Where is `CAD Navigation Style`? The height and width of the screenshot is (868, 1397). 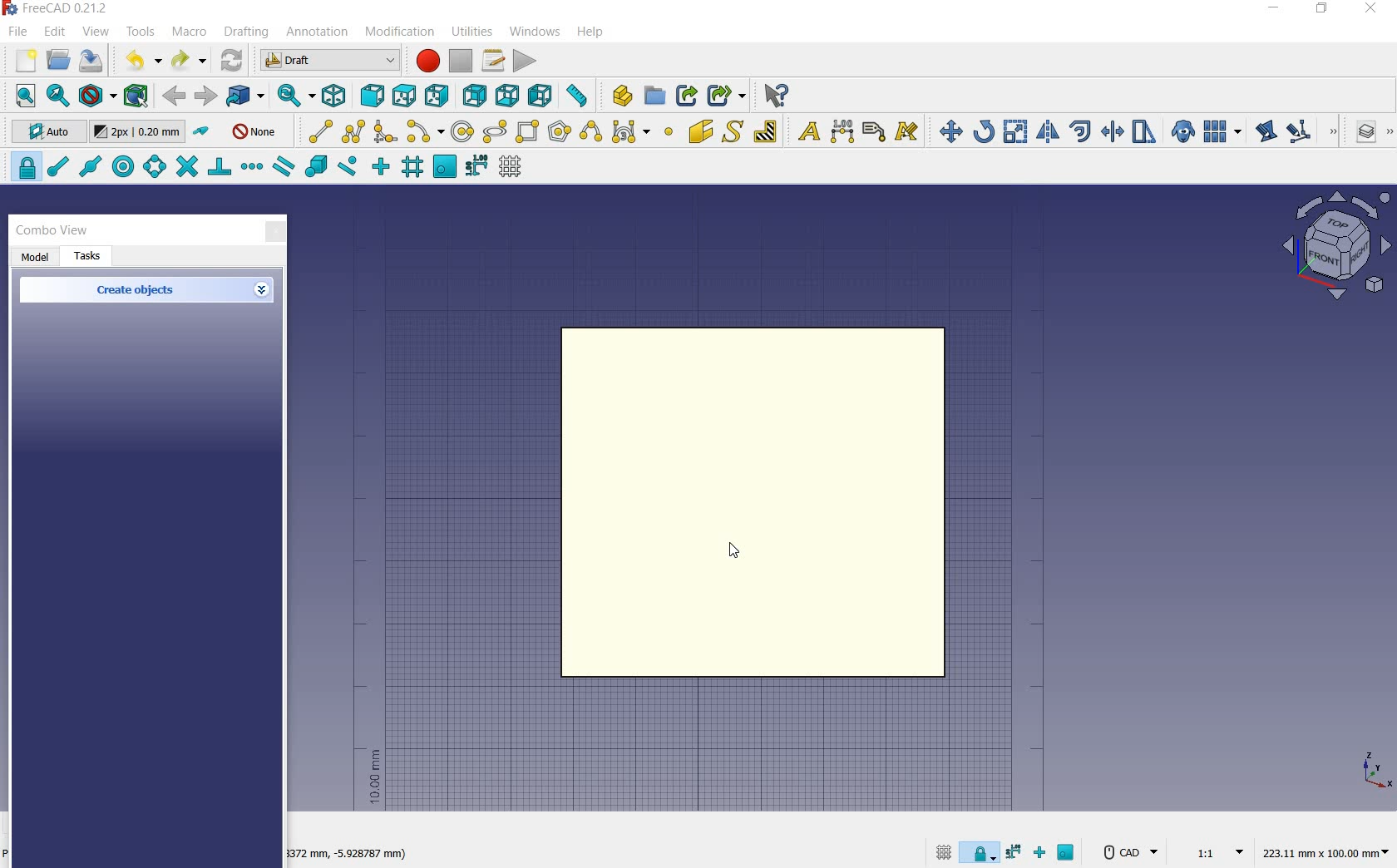 CAD Navigation Style is located at coordinates (1128, 852).